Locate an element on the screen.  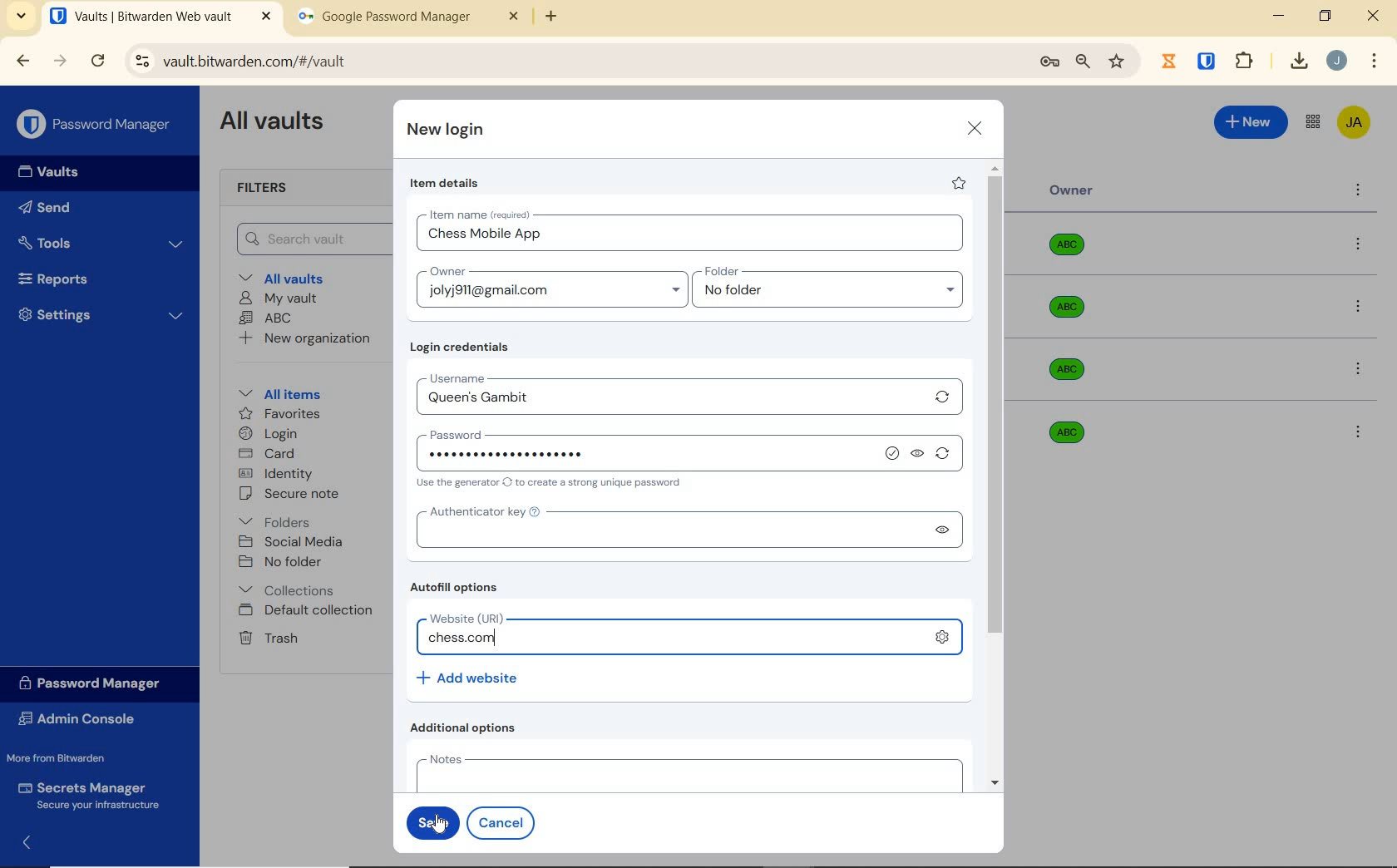
username added is located at coordinates (672, 401).